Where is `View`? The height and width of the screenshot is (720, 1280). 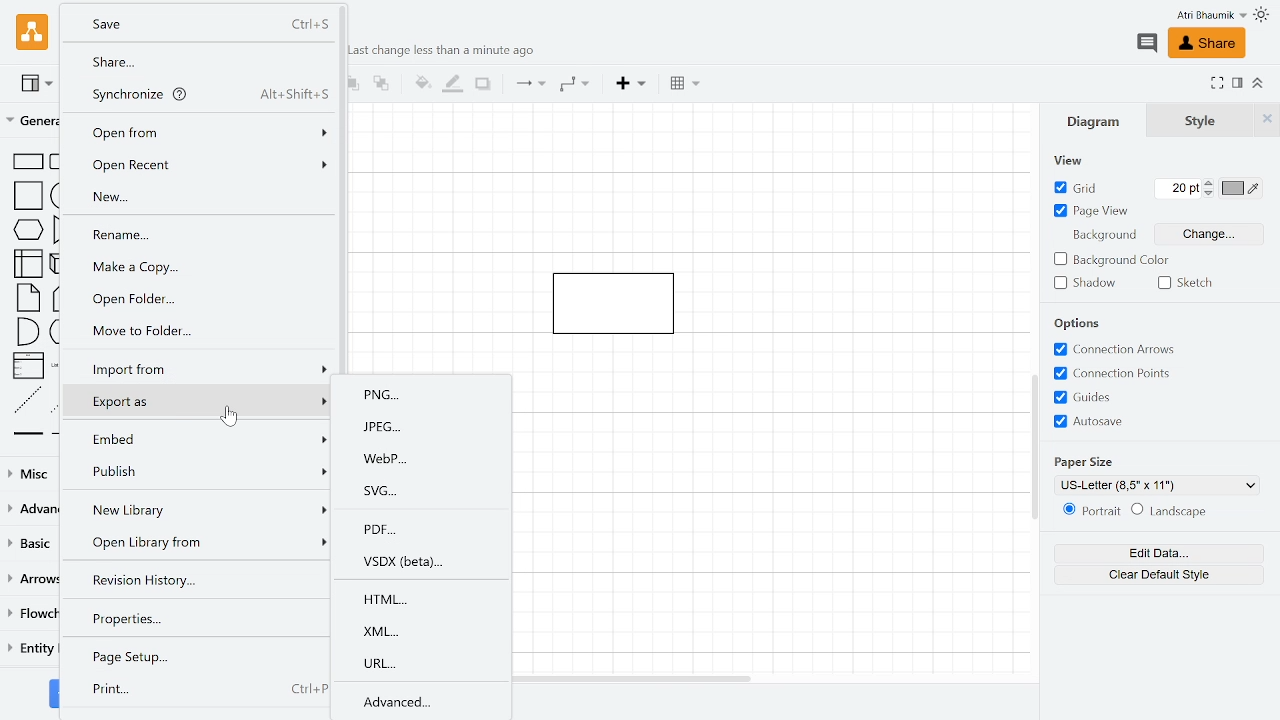 View is located at coordinates (38, 86).